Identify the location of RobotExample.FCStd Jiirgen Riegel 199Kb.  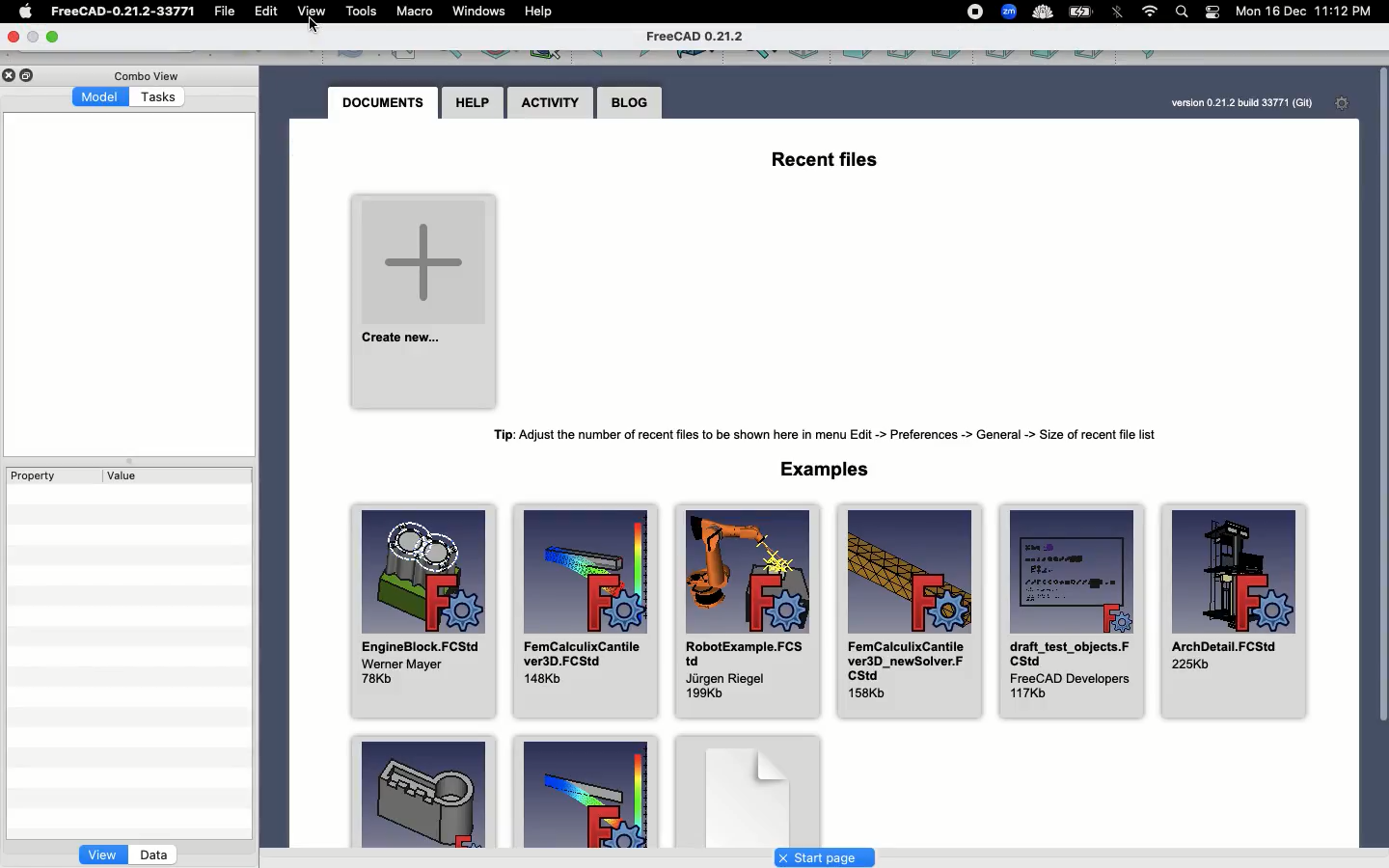
(746, 612).